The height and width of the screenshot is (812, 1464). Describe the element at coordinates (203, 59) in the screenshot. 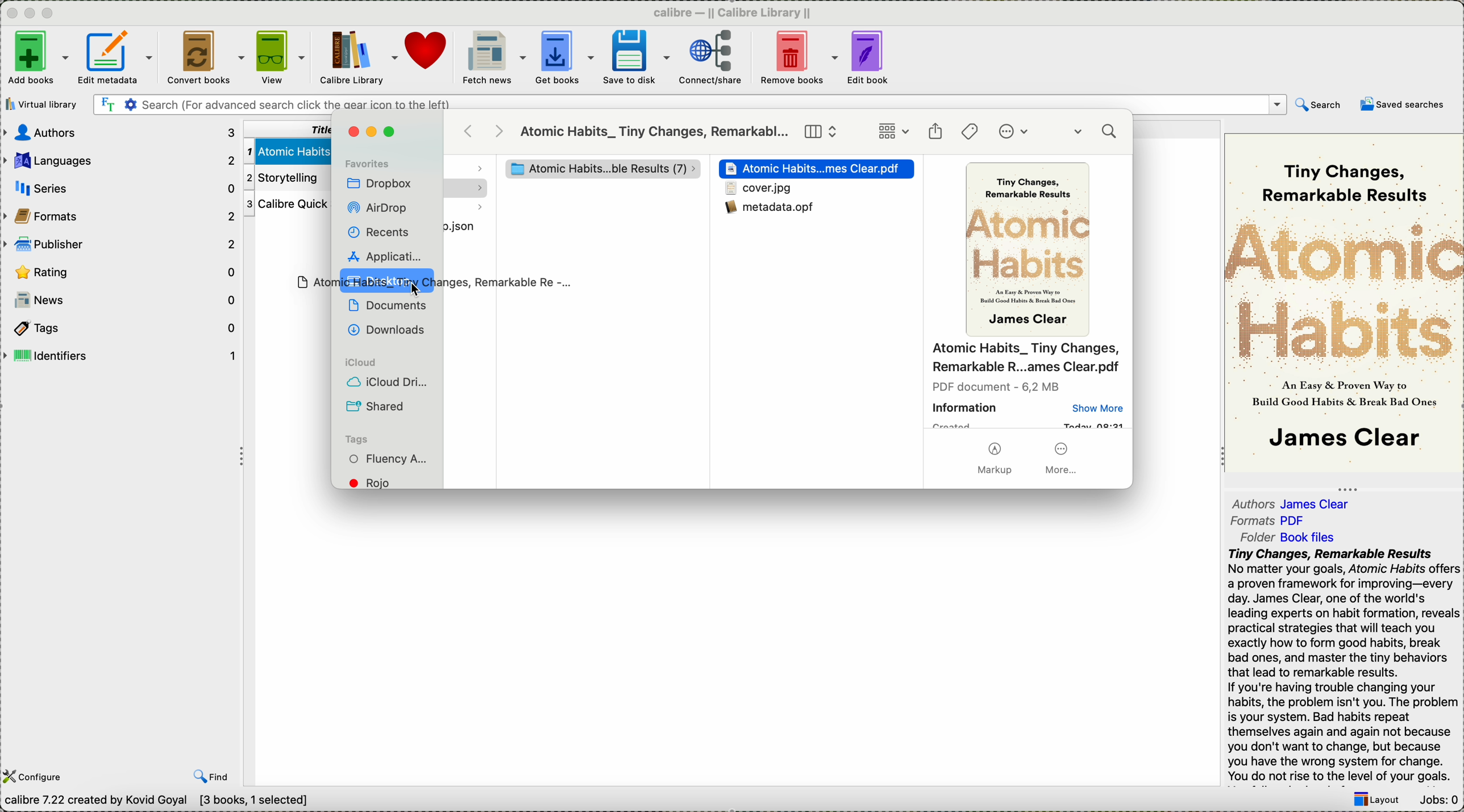

I see `convert books` at that location.